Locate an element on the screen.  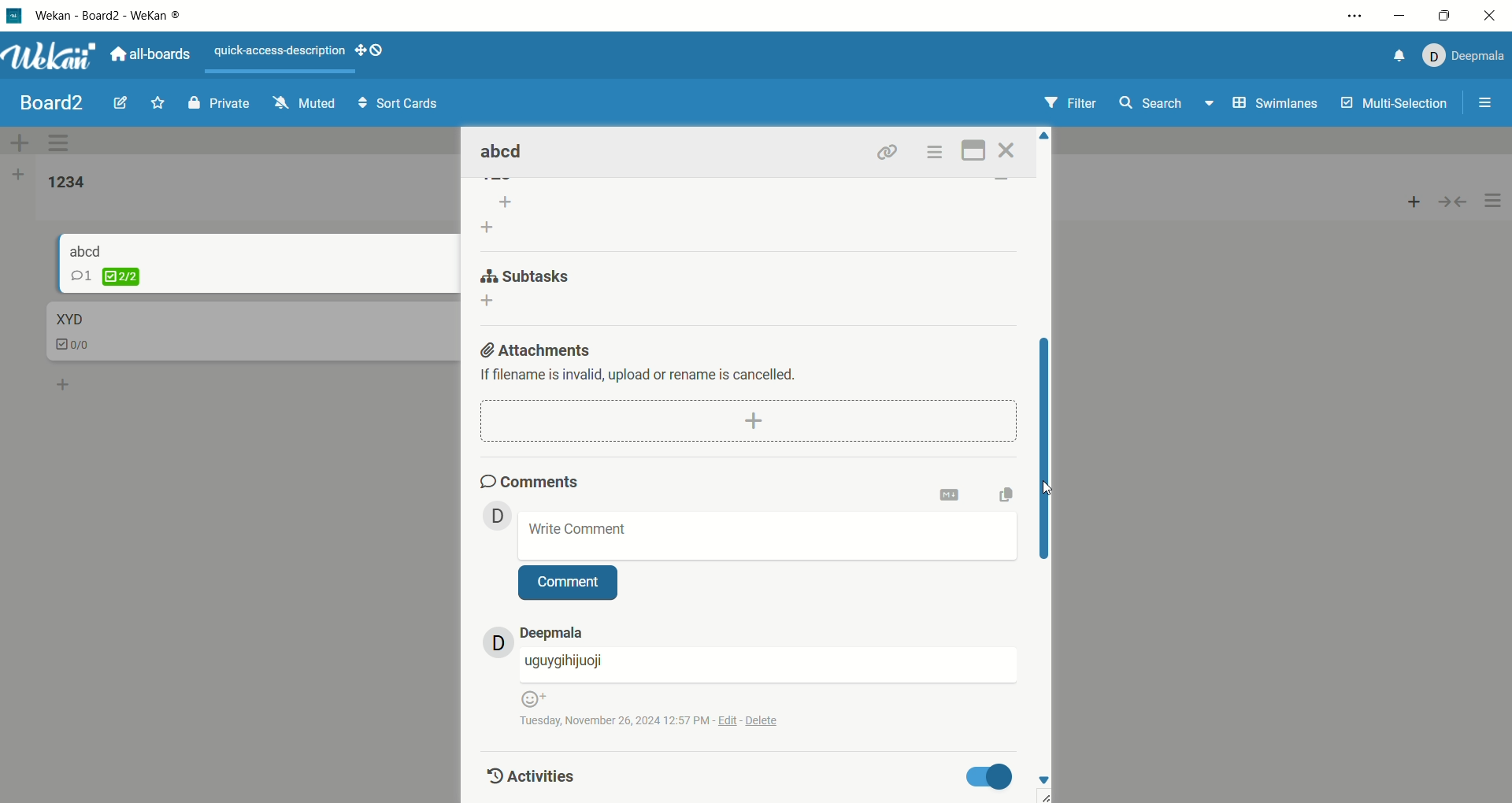
username is located at coordinates (768, 664).